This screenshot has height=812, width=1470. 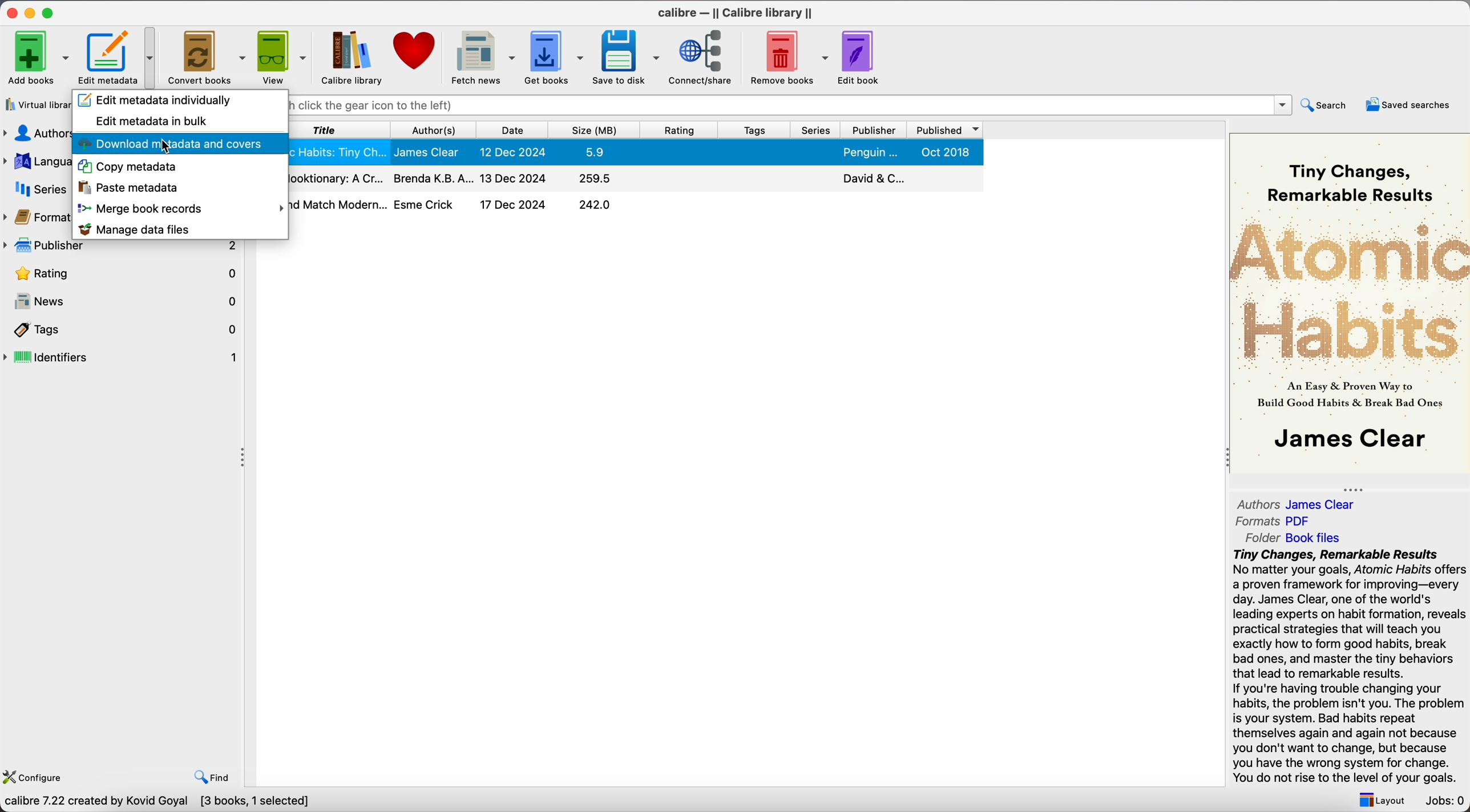 What do you see at coordinates (32, 13) in the screenshot?
I see `minimize app` at bounding box center [32, 13].